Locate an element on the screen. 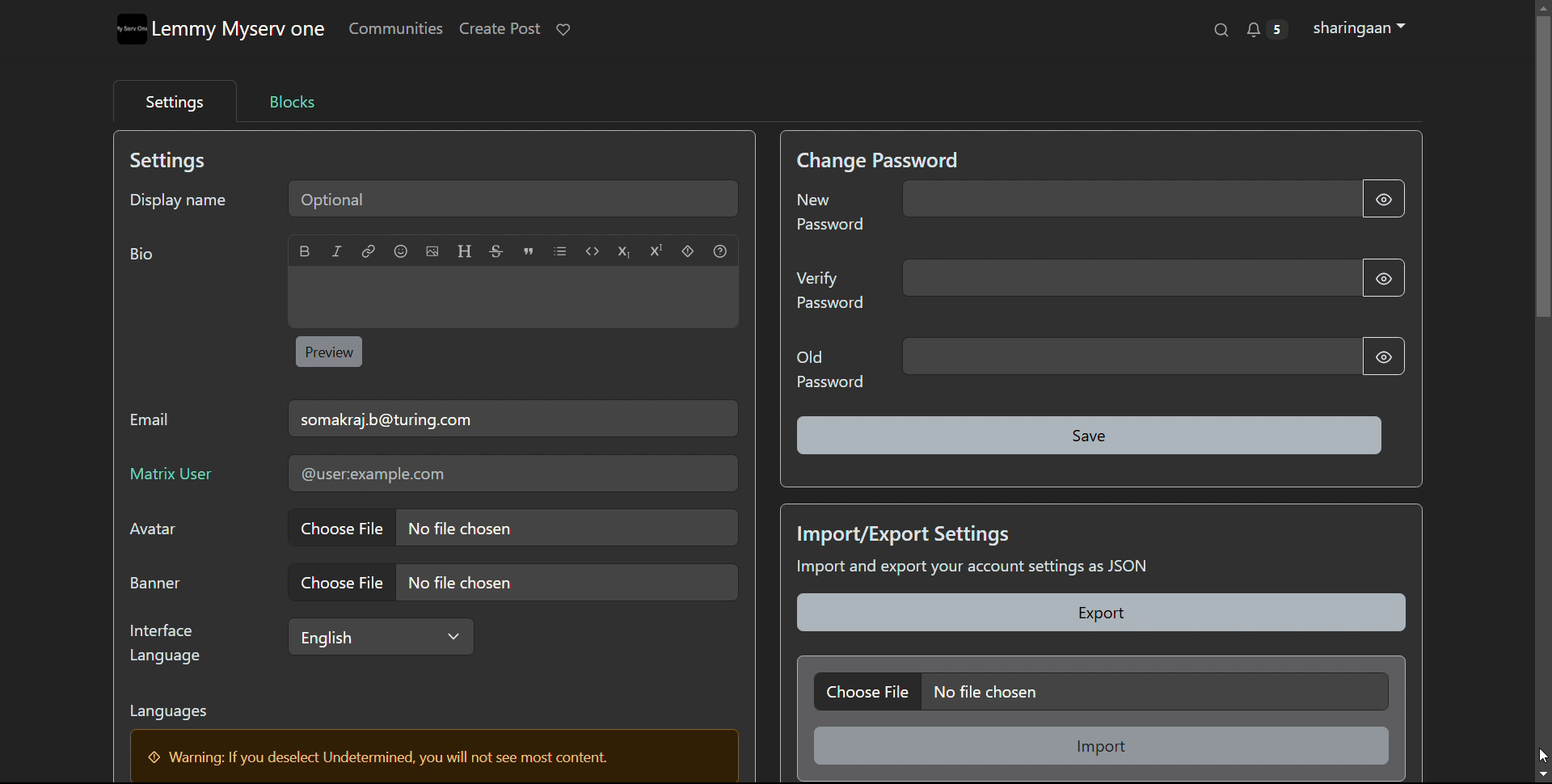 The height and width of the screenshot is (784, 1552). Verify
Password is located at coordinates (833, 291).